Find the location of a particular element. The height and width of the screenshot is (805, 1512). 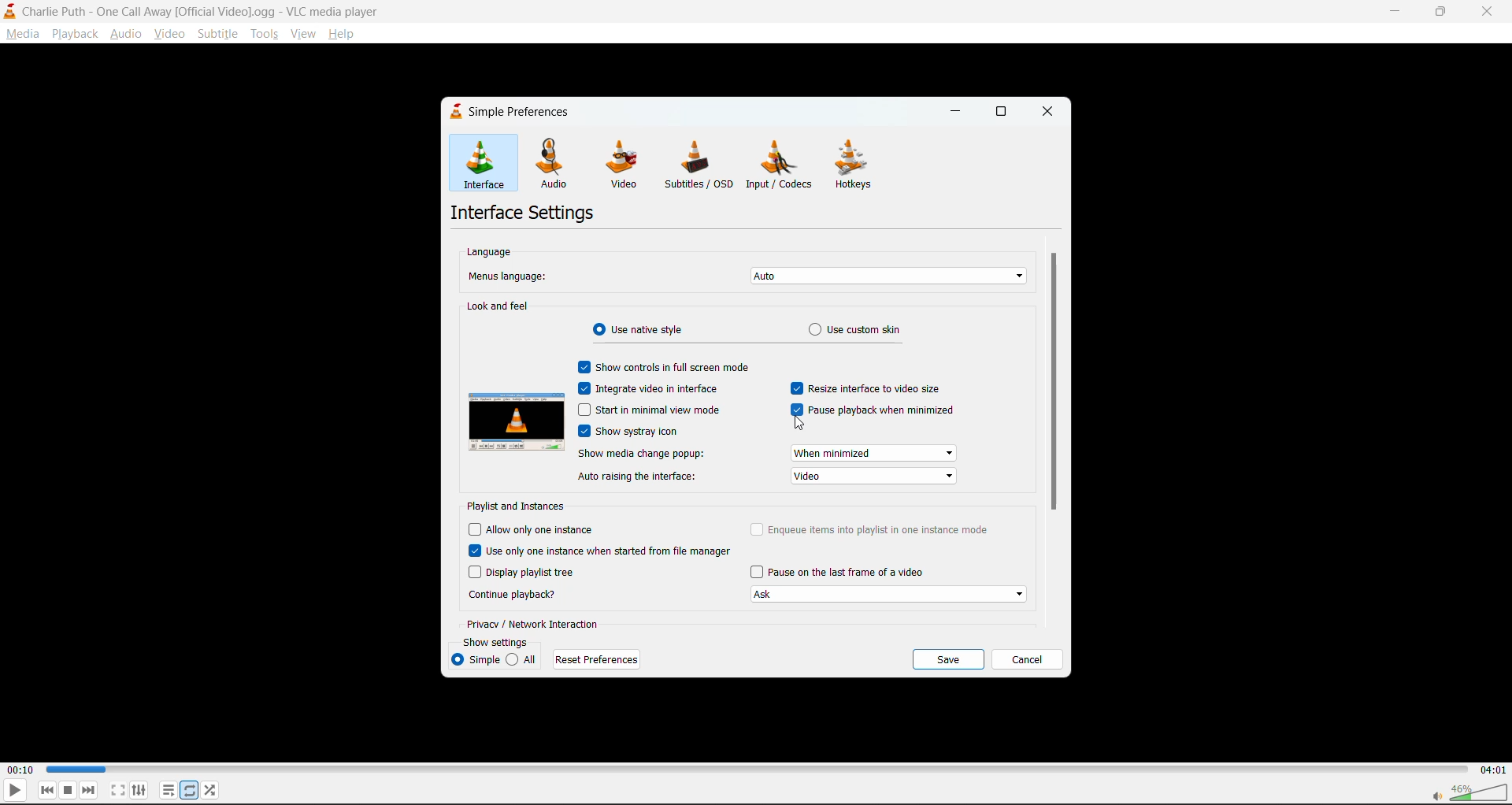

use custom skin is located at coordinates (873, 330).